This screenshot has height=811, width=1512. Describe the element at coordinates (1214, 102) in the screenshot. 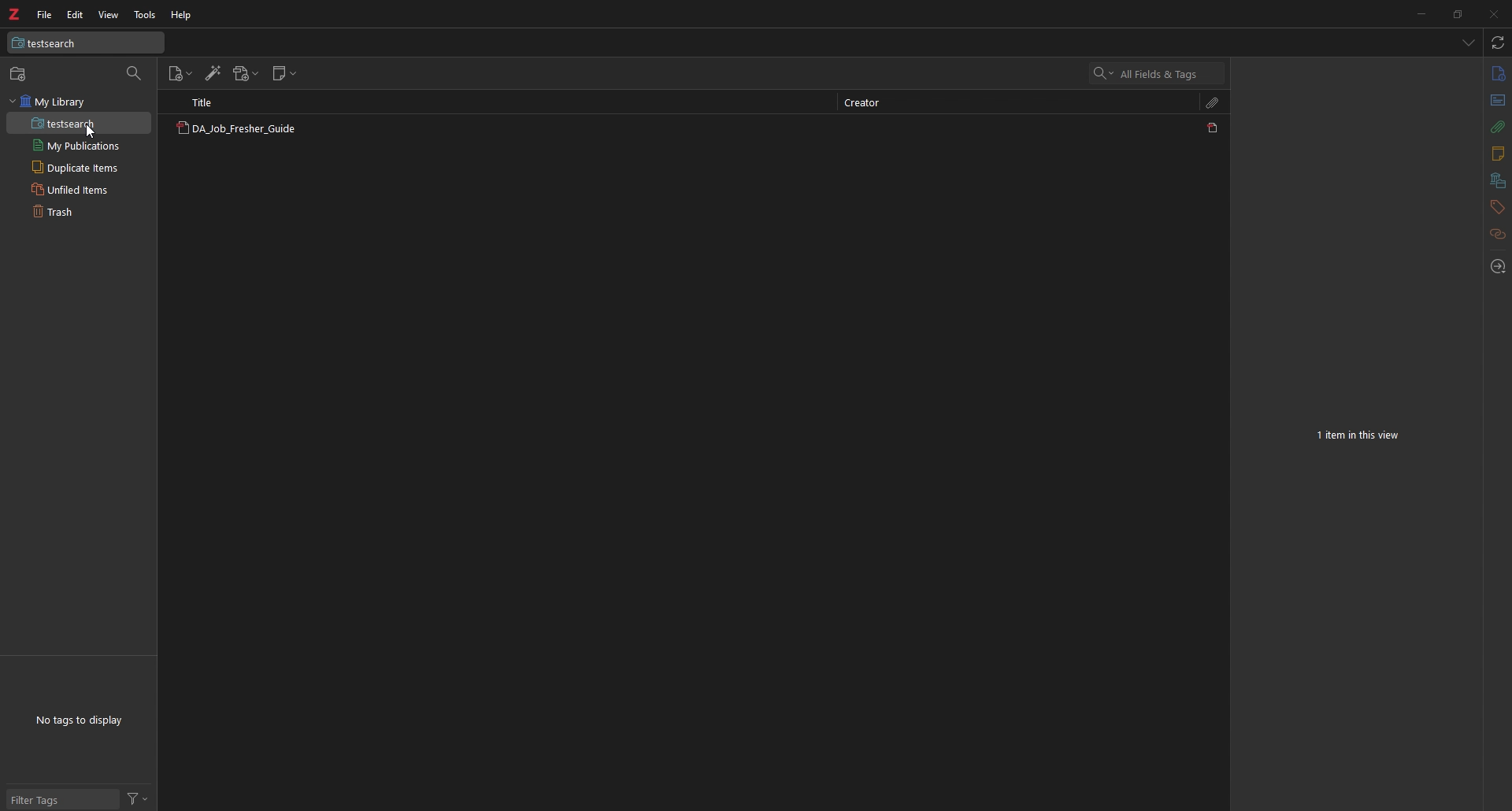

I see `attachment` at that location.